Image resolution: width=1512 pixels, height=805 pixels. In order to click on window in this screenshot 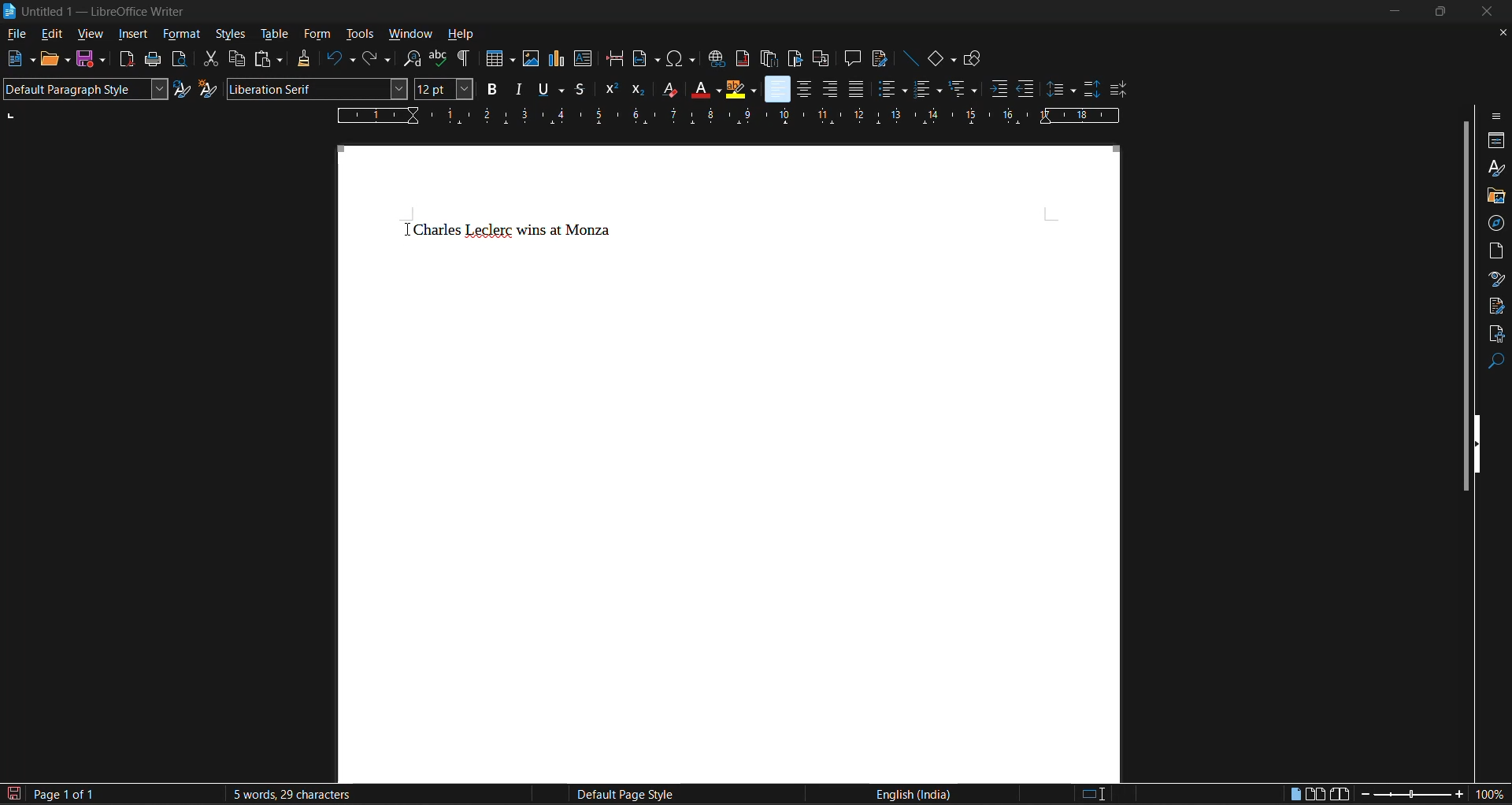, I will do `click(408, 33)`.